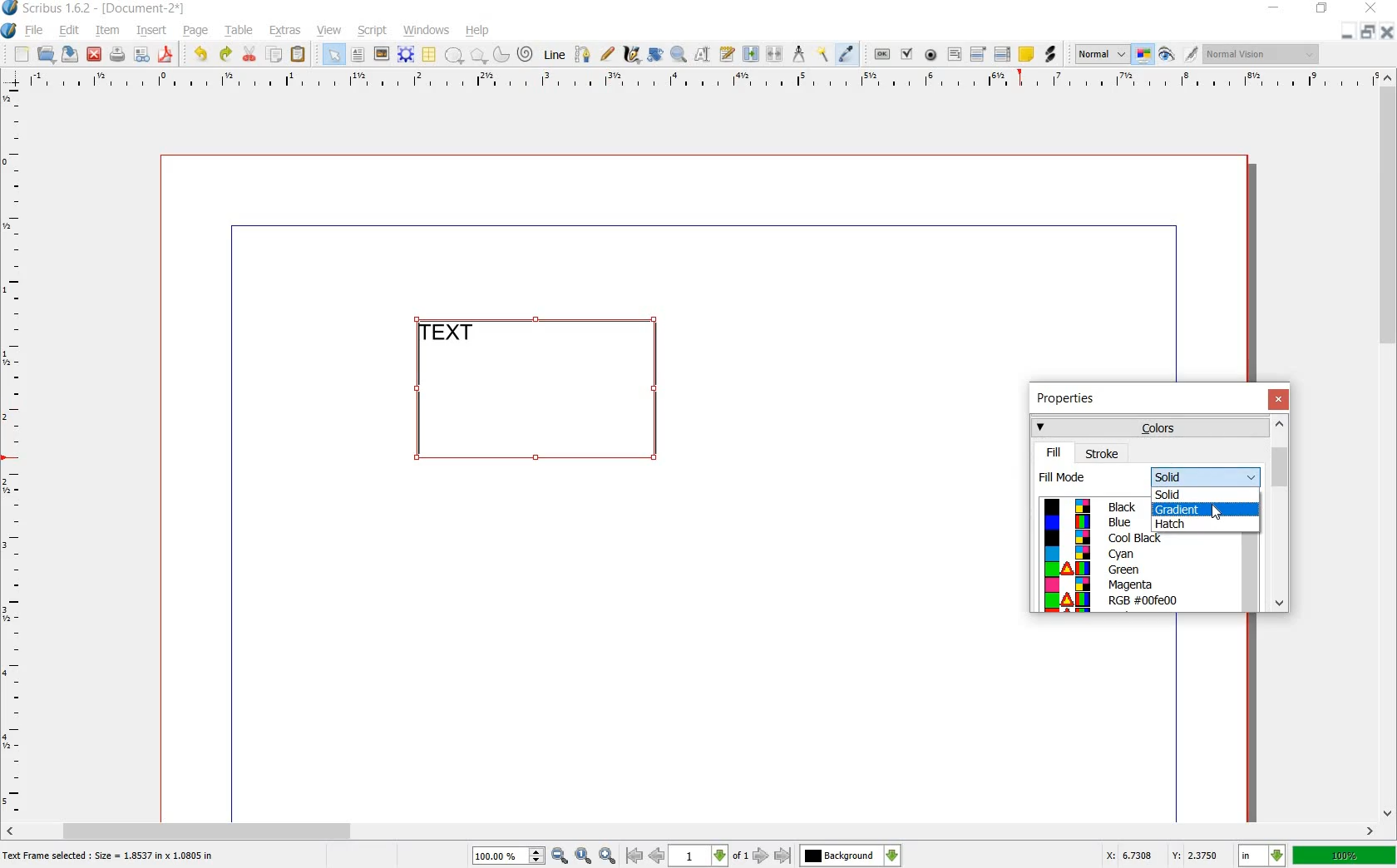 This screenshot has height=868, width=1397. Describe the element at coordinates (500, 856) in the screenshot. I see `100%` at that location.